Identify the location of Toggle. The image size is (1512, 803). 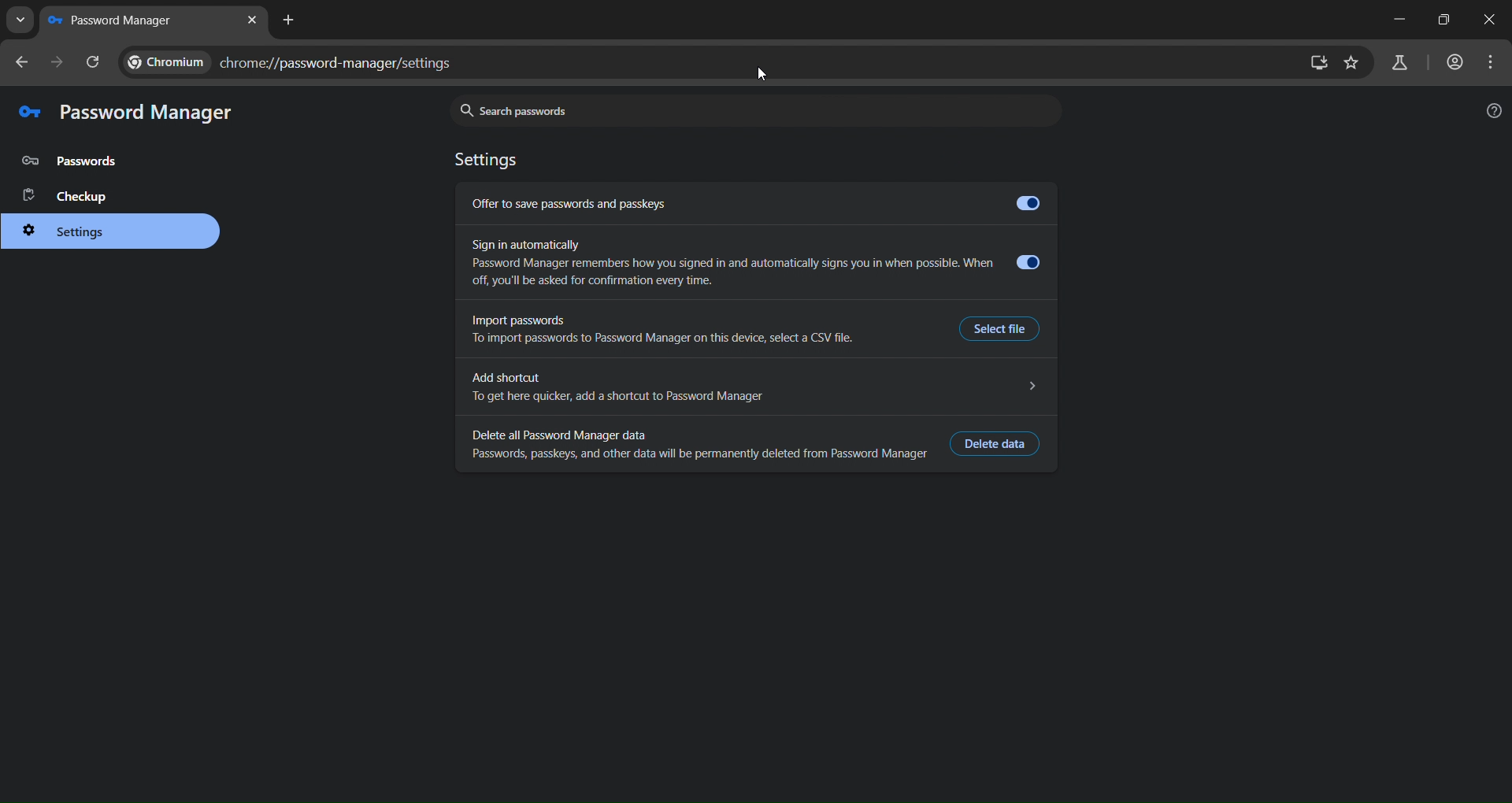
(1027, 204).